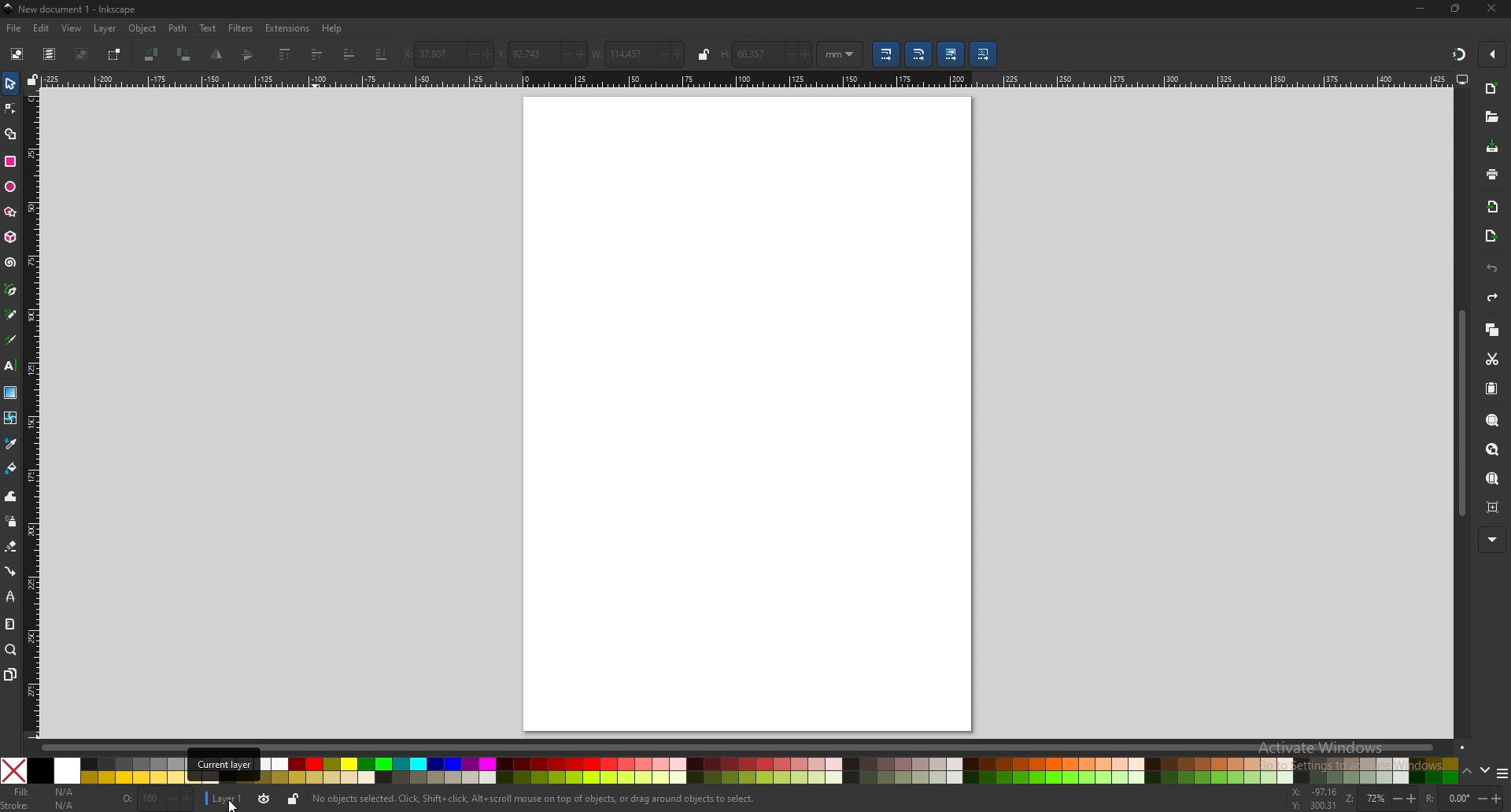 This screenshot has width=1511, height=812. What do you see at coordinates (264, 798) in the screenshot?
I see `toggle visibility` at bounding box center [264, 798].